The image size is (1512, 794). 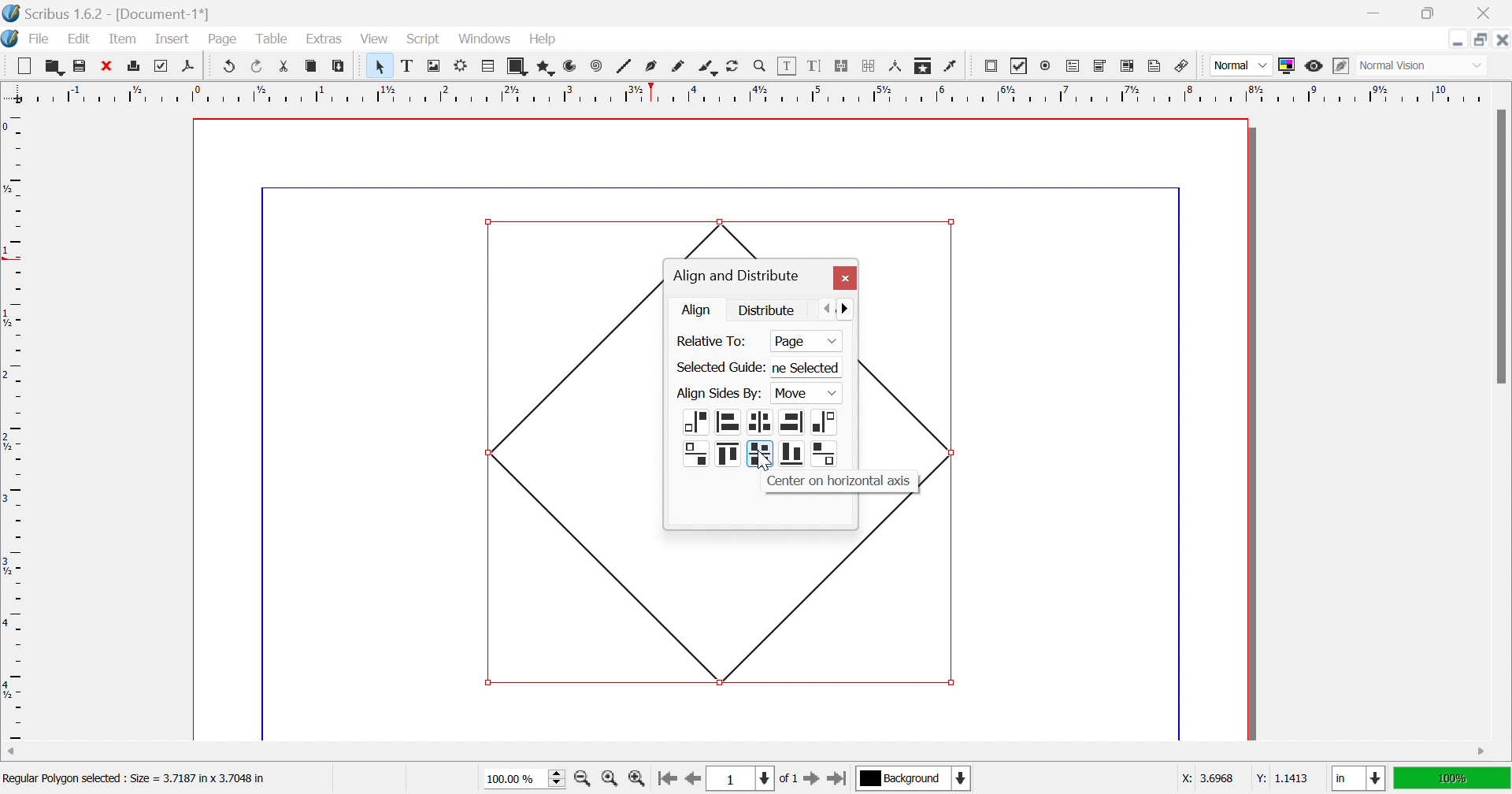 What do you see at coordinates (54, 65) in the screenshot?
I see `Open` at bounding box center [54, 65].